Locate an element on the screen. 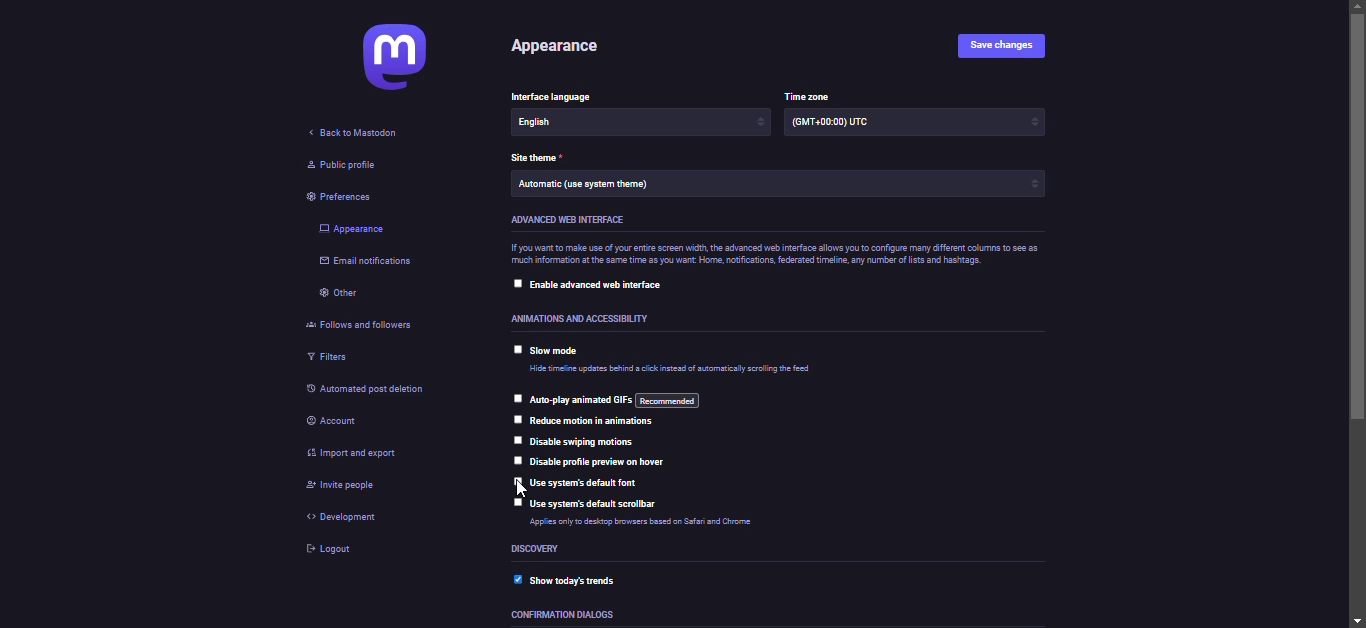  scroll bar is located at coordinates (1358, 311).